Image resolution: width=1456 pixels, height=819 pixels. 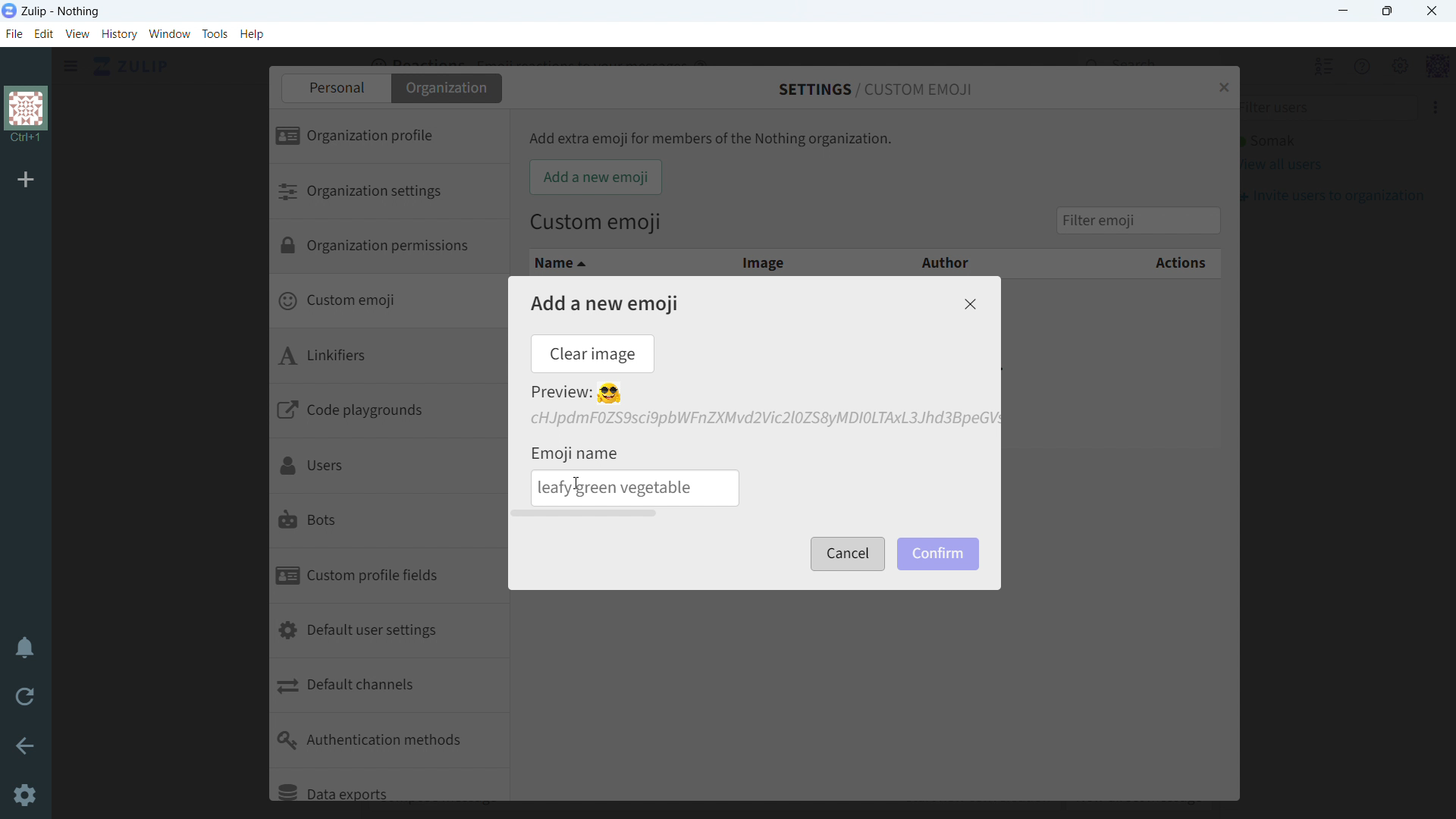 I want to click on Custom emoji, so click(x=596, y=224).